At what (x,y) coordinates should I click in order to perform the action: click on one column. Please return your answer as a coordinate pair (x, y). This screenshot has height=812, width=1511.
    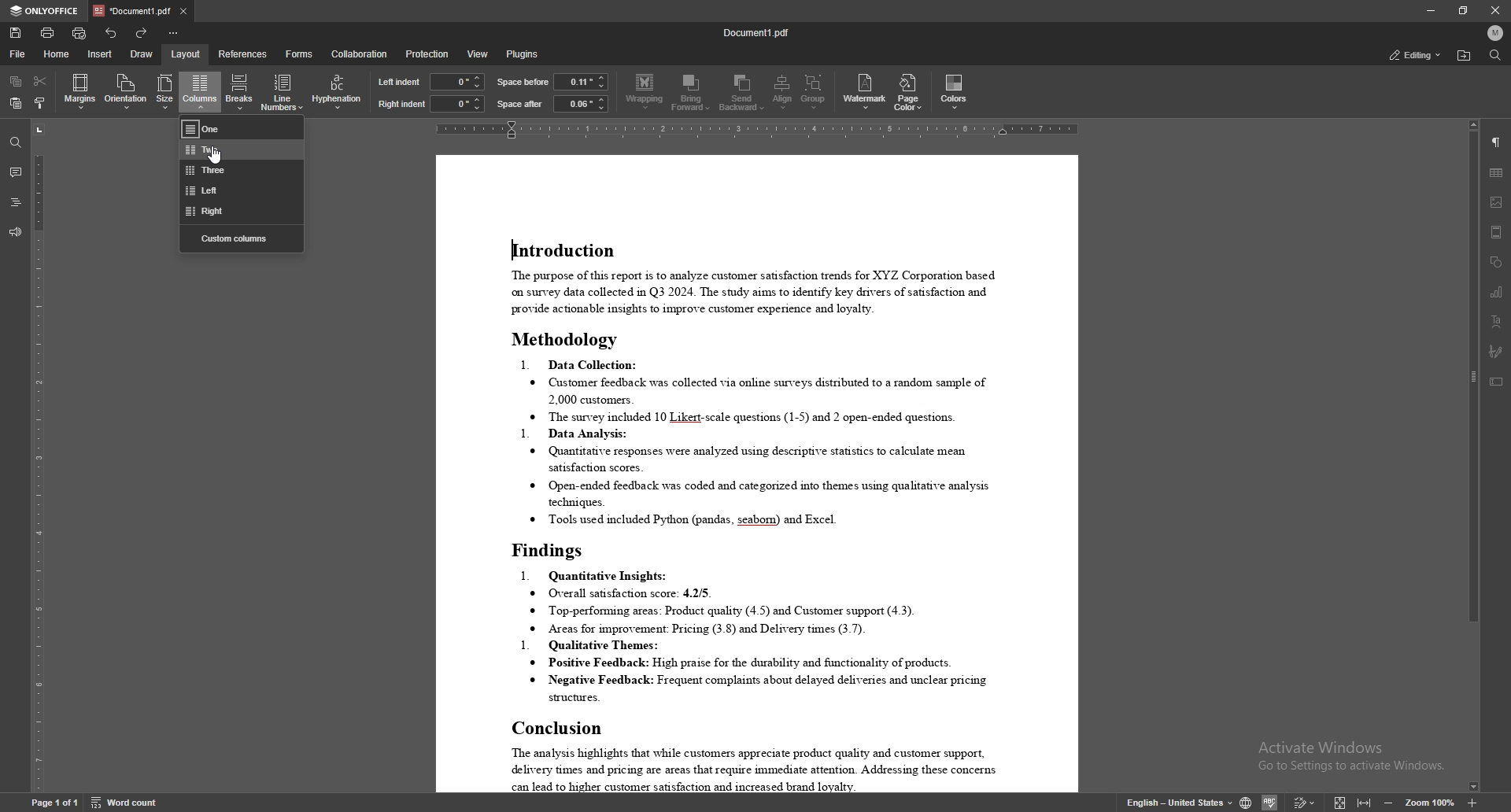
    Looking at the image, I should click on (242, 128).